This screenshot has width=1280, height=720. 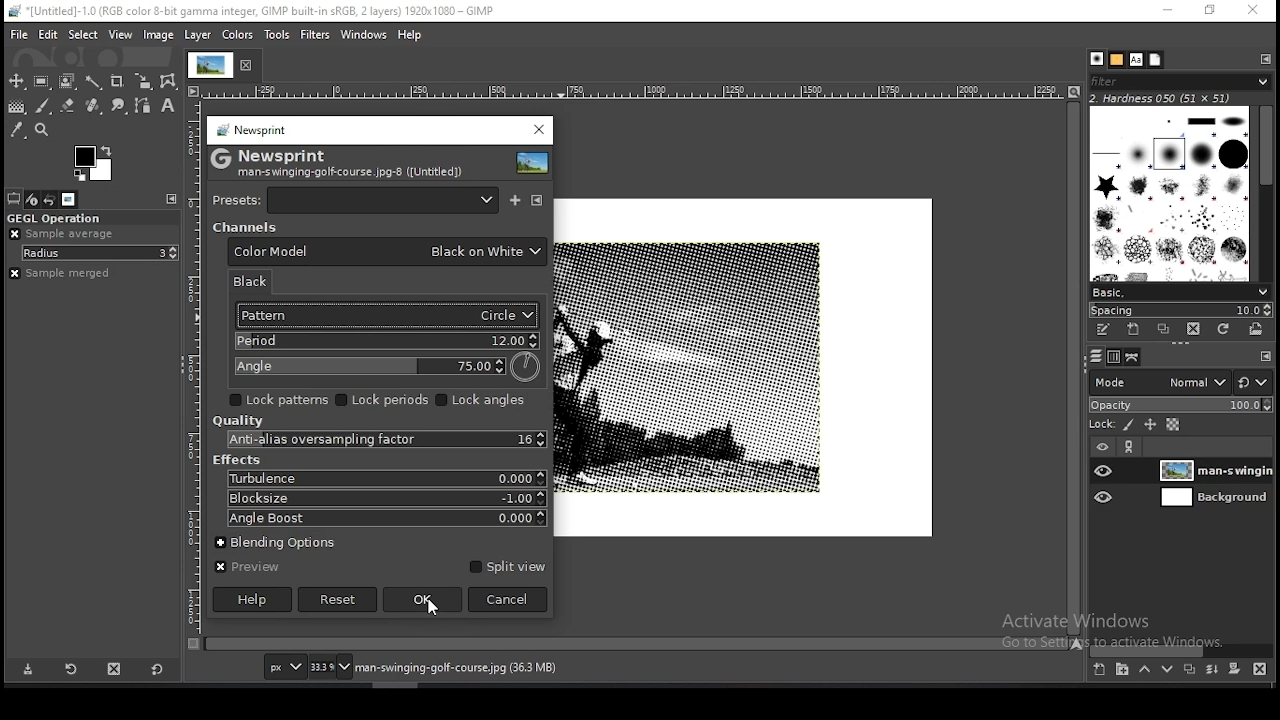 What do you see at coordinates (1076, 368) in the screenshot?
I see `scroll bar` at bounding box center [1076, 368].